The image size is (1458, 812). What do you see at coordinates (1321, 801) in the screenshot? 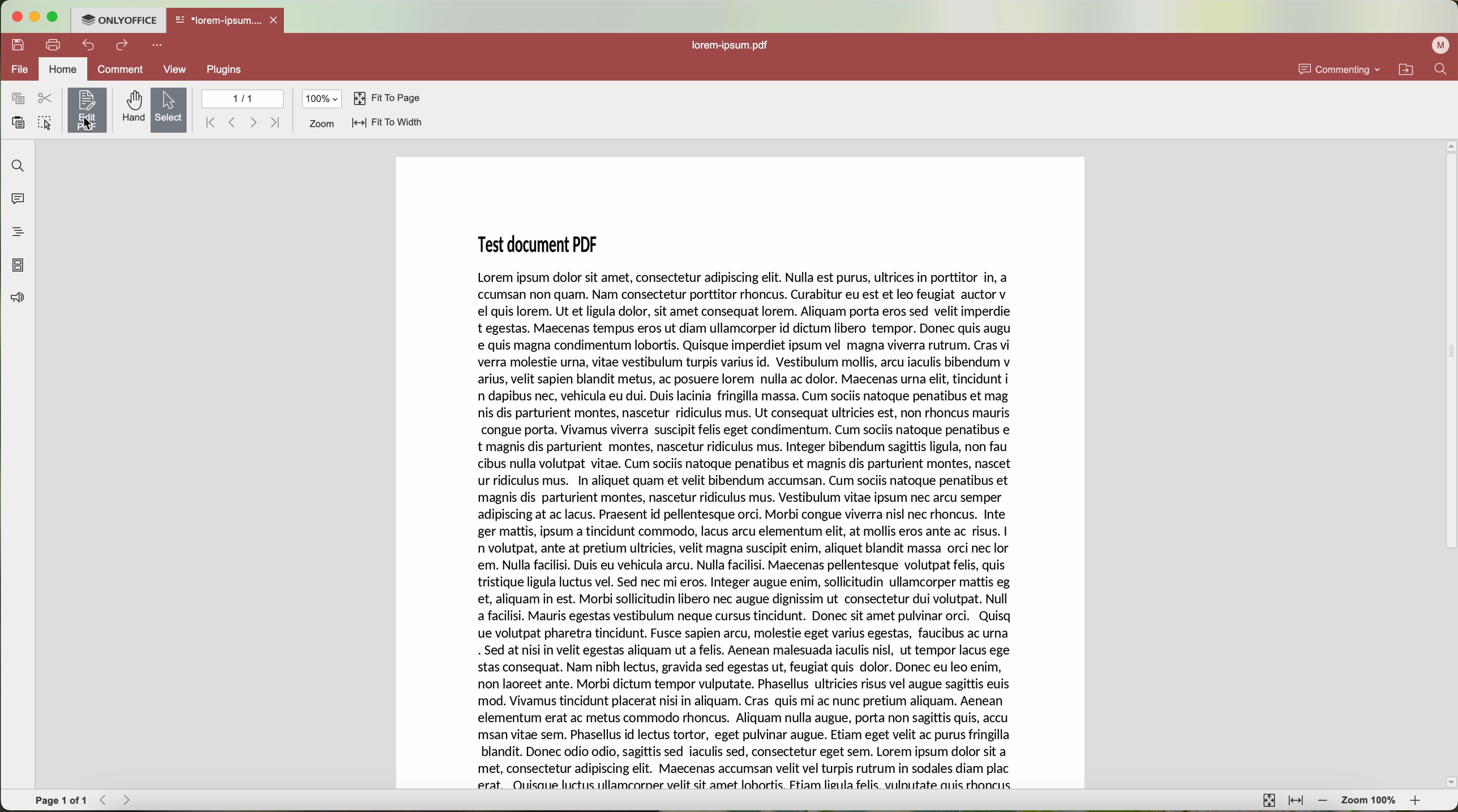
I see `zoom out` at bounding box center [1321, 801].